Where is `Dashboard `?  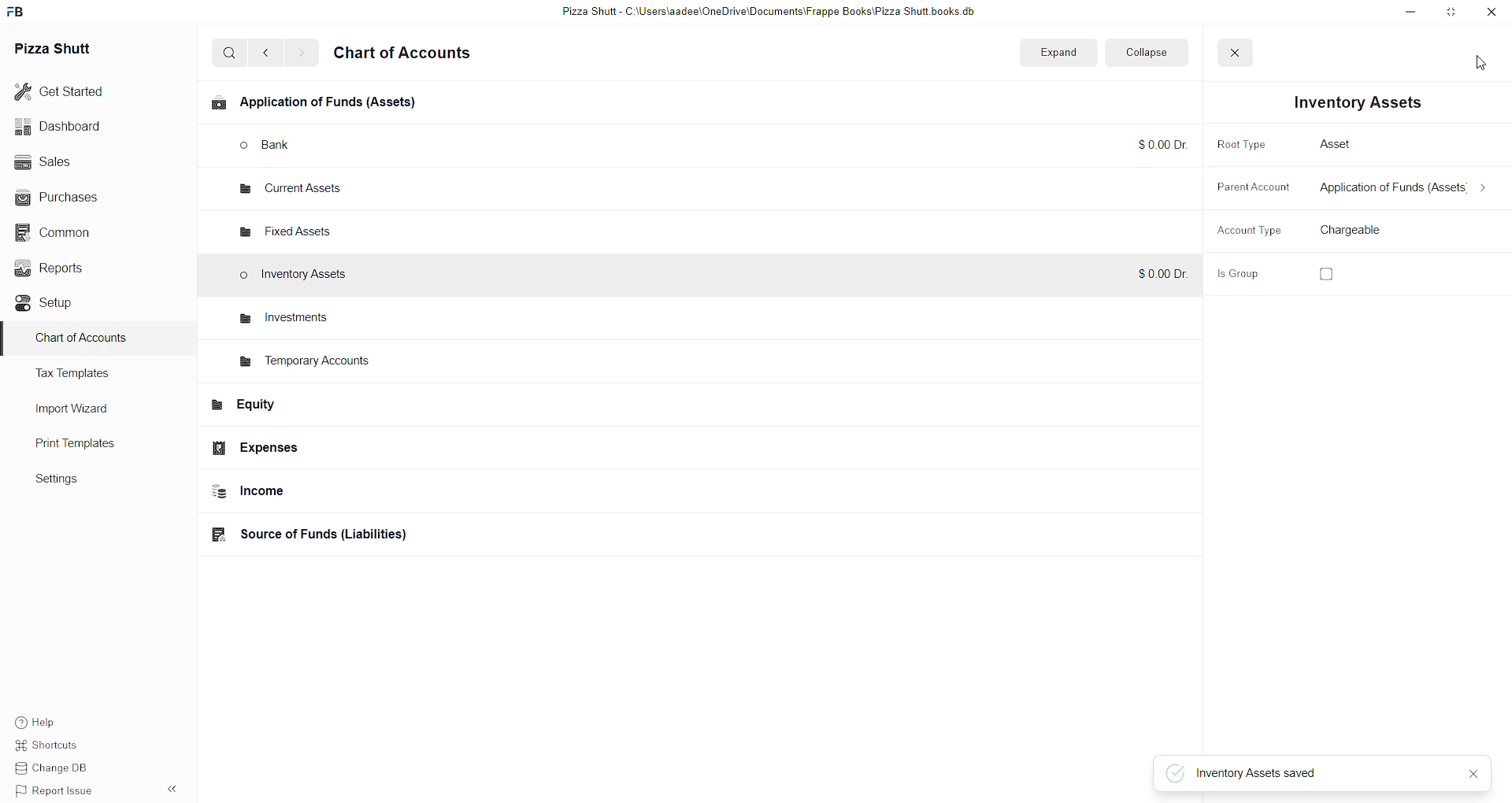 Dashboard  is located at coordinates (69, 128).